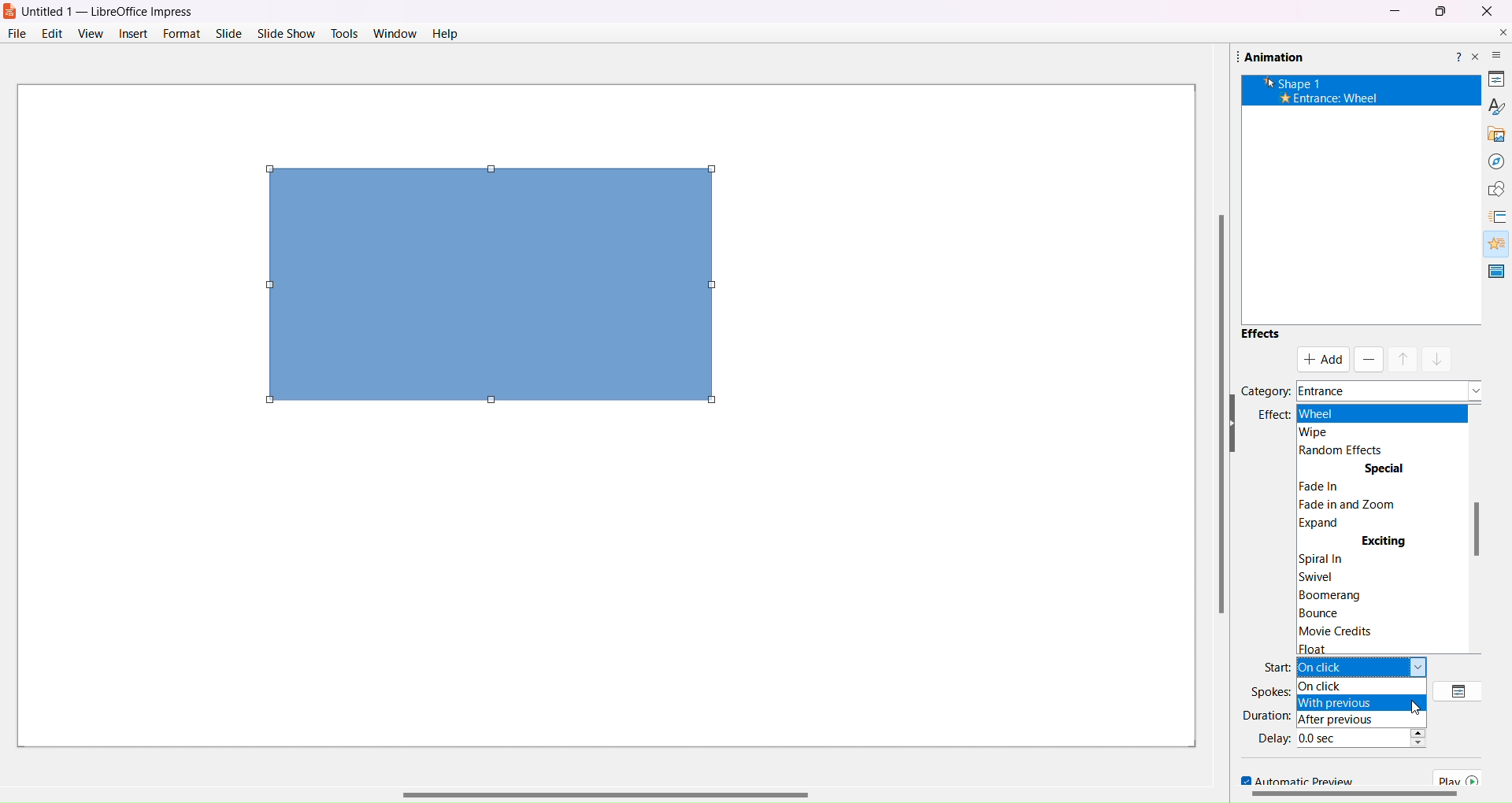 Image resolution: width=1512 pixels, height=803 pixels. What do you see at coordinates (444, 35) in the screenshot?
I see `Help` at bounding box center [444, 35].